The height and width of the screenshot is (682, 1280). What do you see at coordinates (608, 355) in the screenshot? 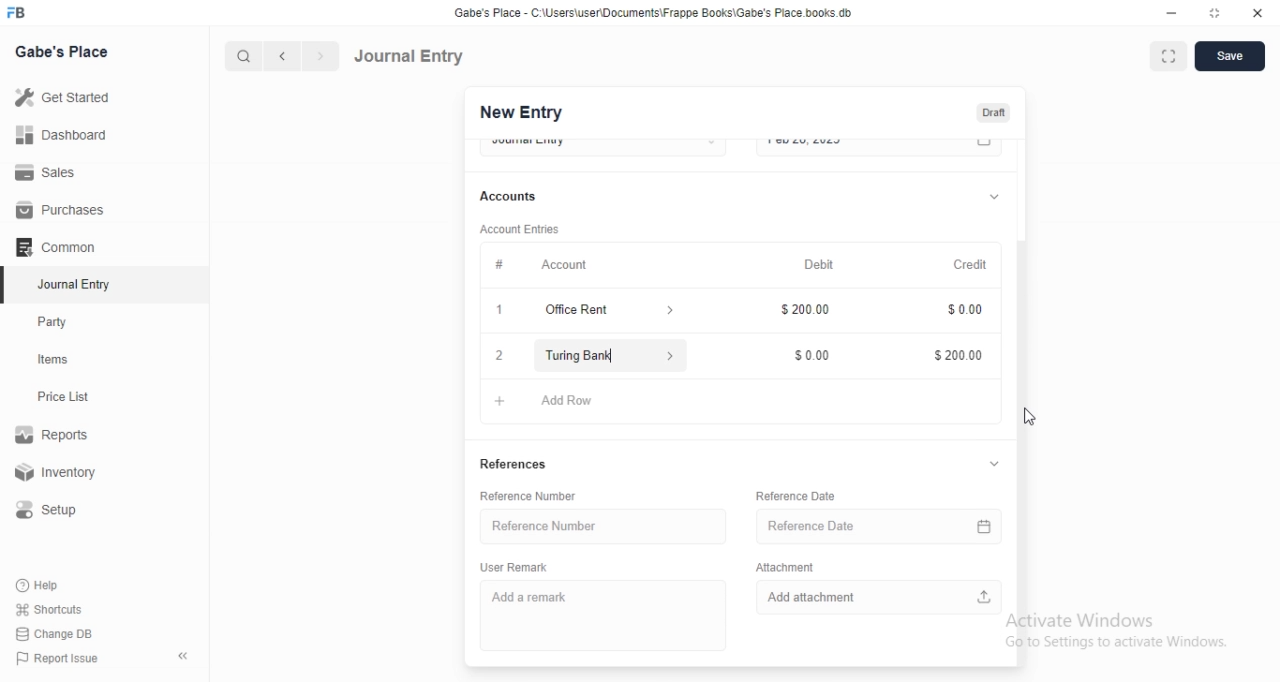
I see `Turing Bank ` at bounding box center [608, 355].